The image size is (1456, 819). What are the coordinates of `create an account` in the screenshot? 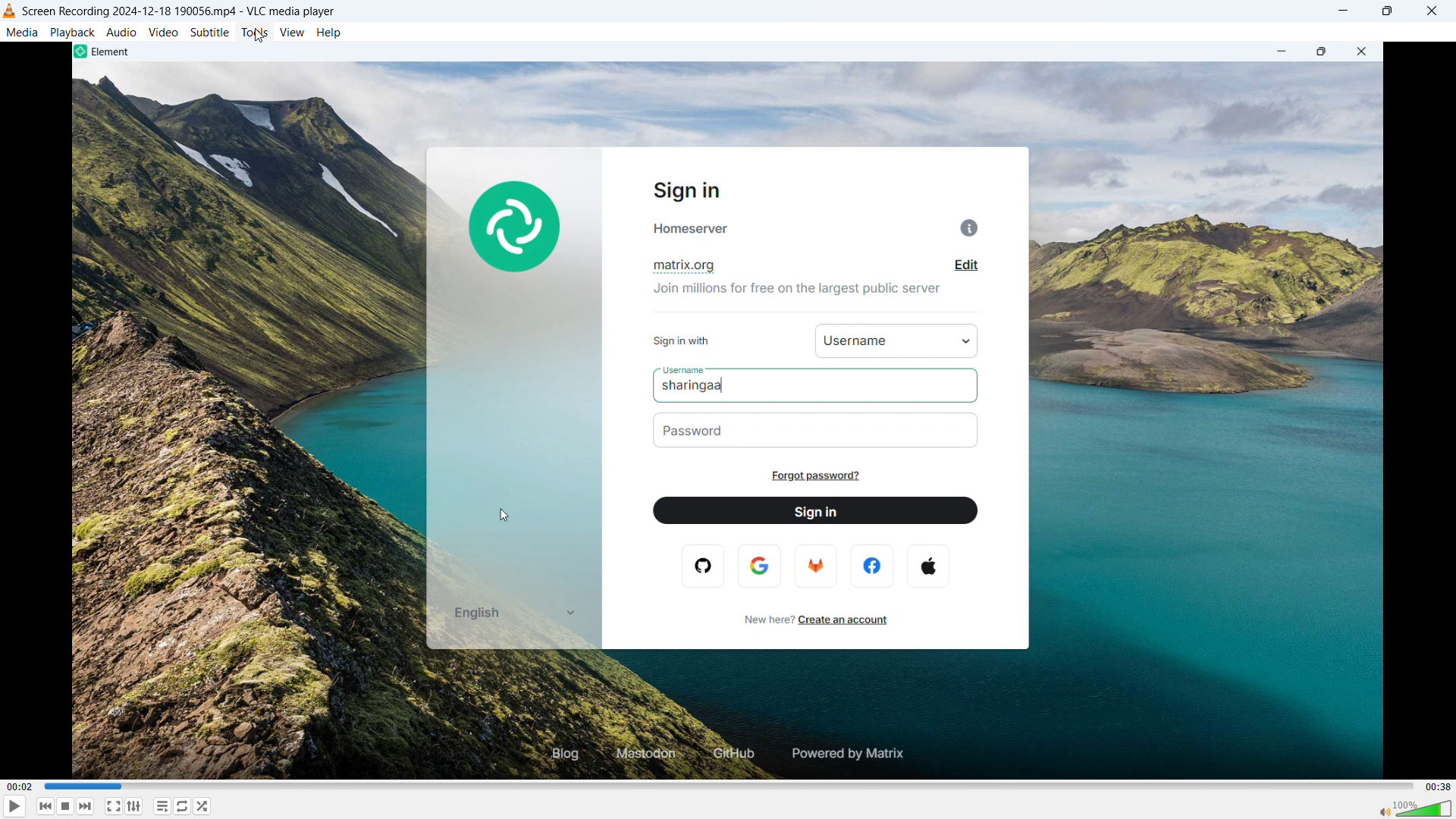 It's located at (854, 620).